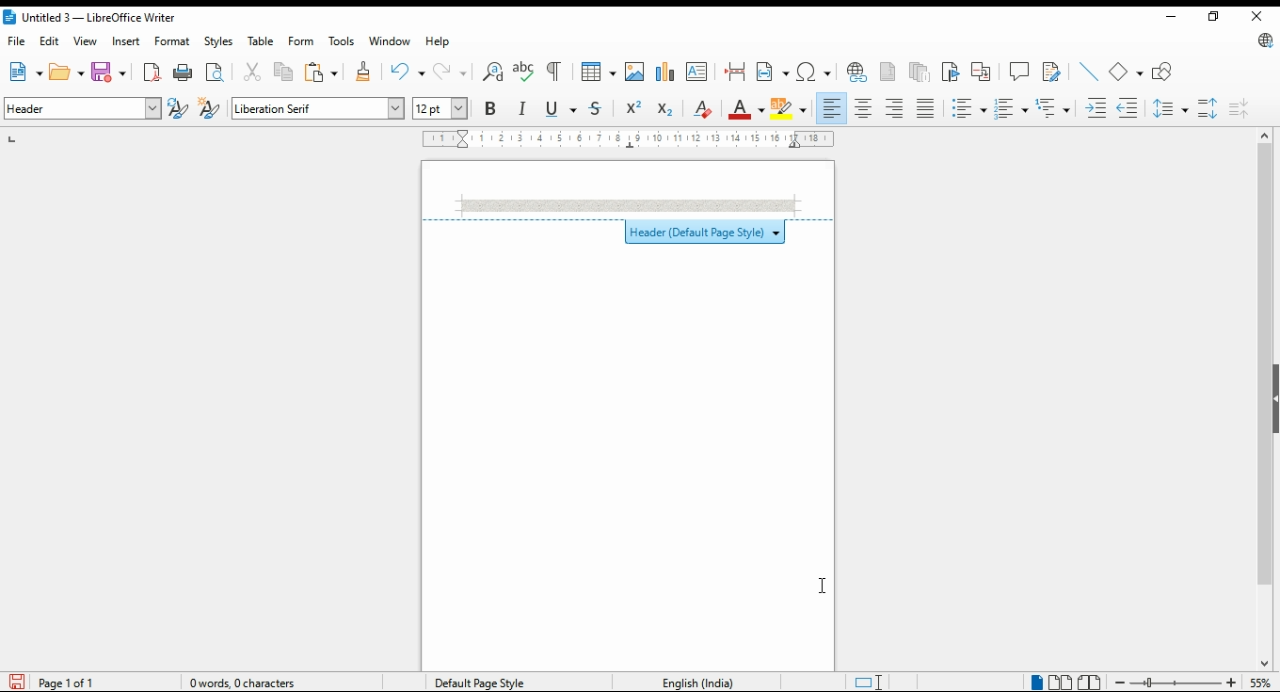 This screenshot has height=692, width=1280. What do you see at coordinates (490, 107) in the screenshot?
I see `bold` at bounding box center [490, 107].